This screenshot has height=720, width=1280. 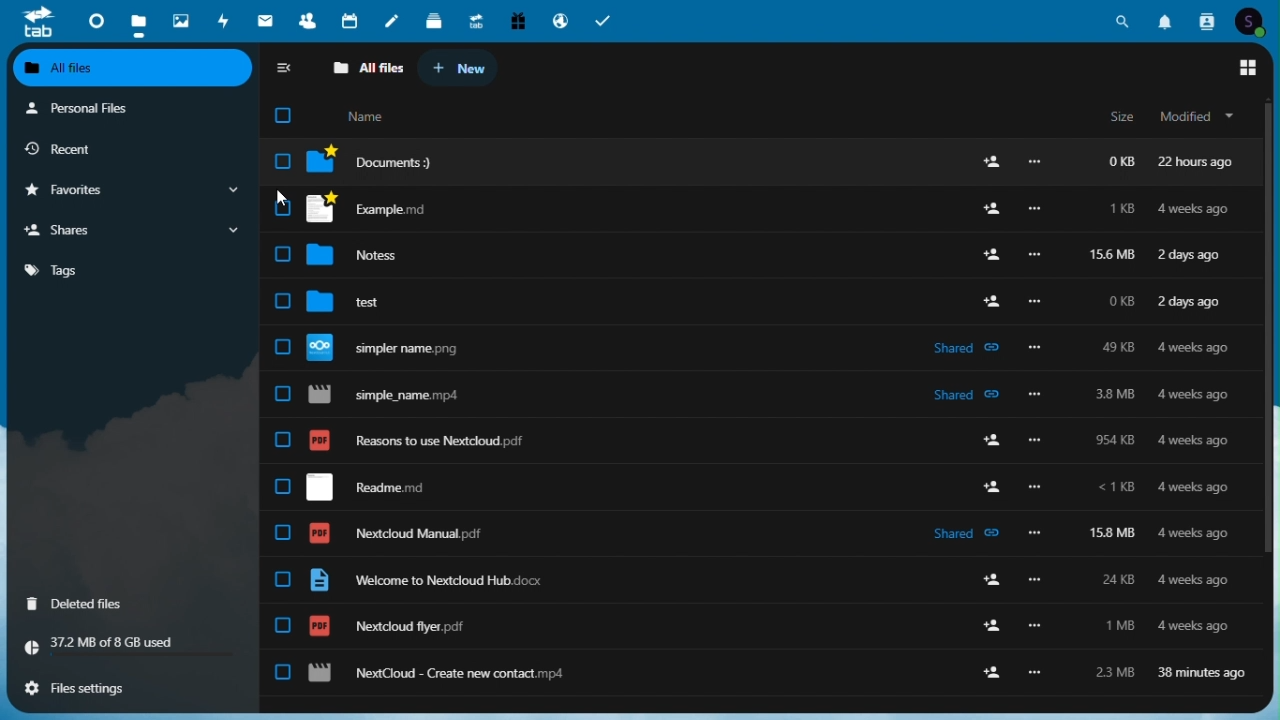 What do you see at coordinates (1120, 441) in the screenshot?
I see `954 kb` at bounding box center [1120, 441].